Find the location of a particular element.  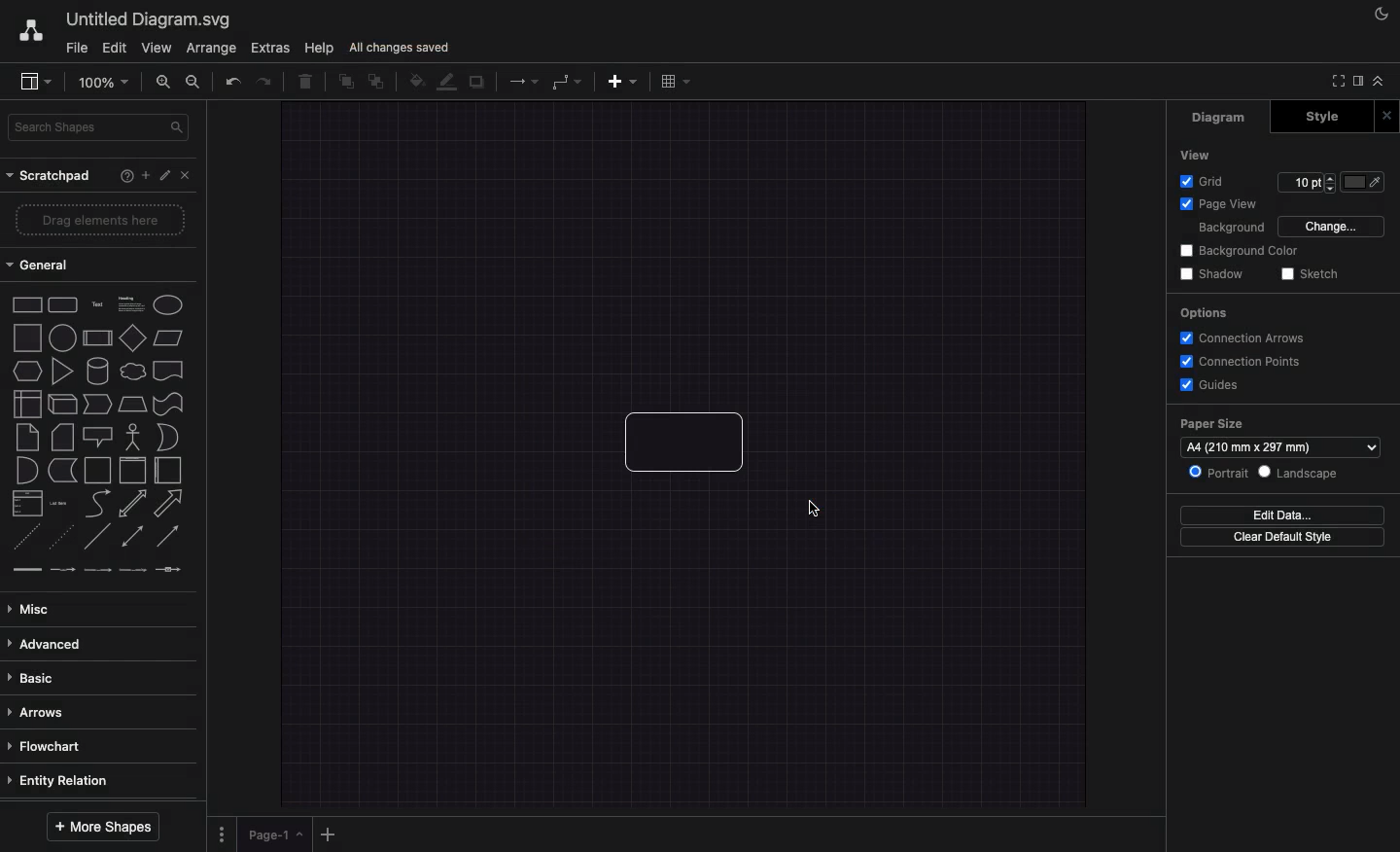

Diagram is located at coordinates (688, 440).